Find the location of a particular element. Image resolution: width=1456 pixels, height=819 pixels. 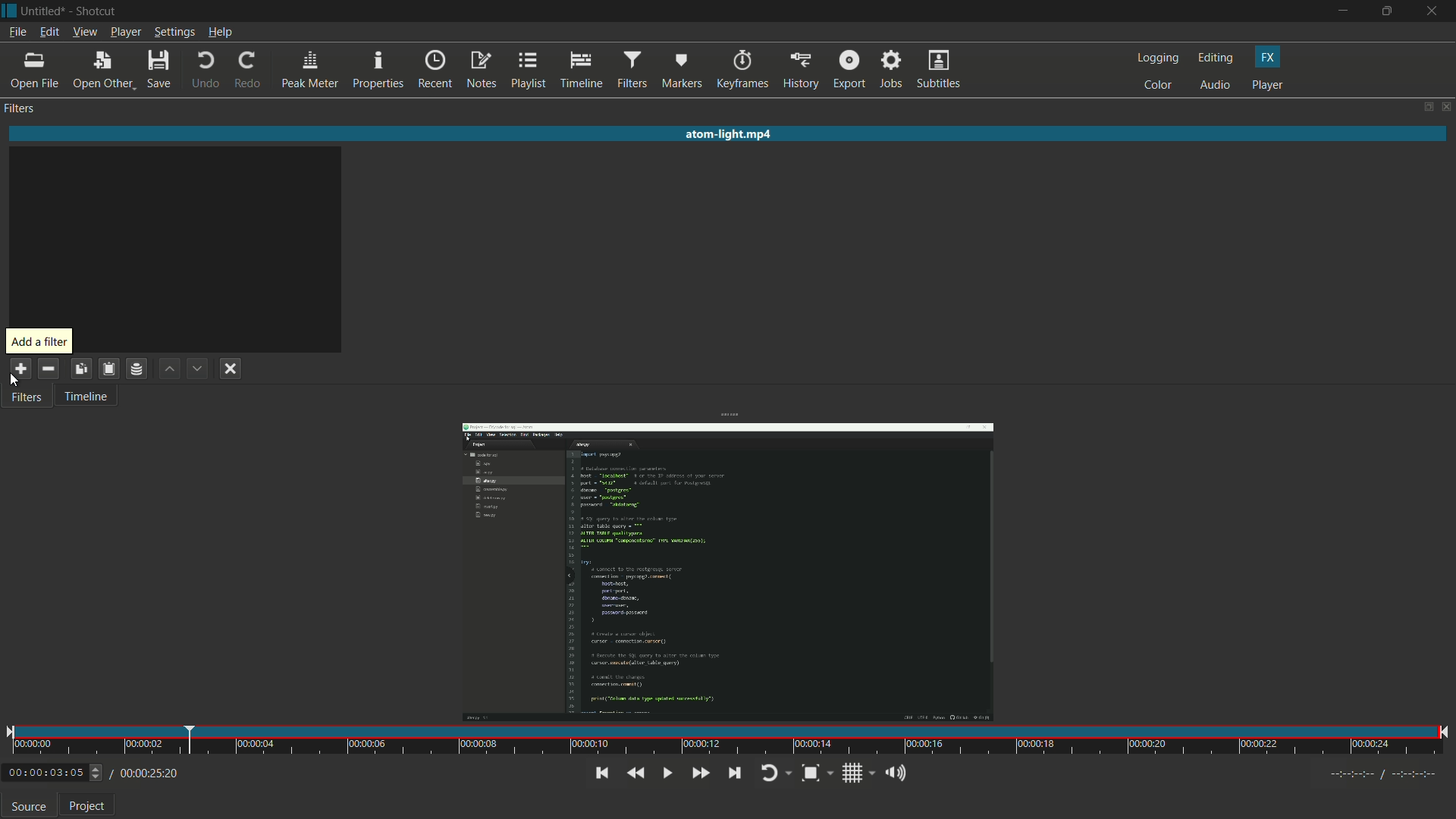

audio is located at coordinates (1216, 86).